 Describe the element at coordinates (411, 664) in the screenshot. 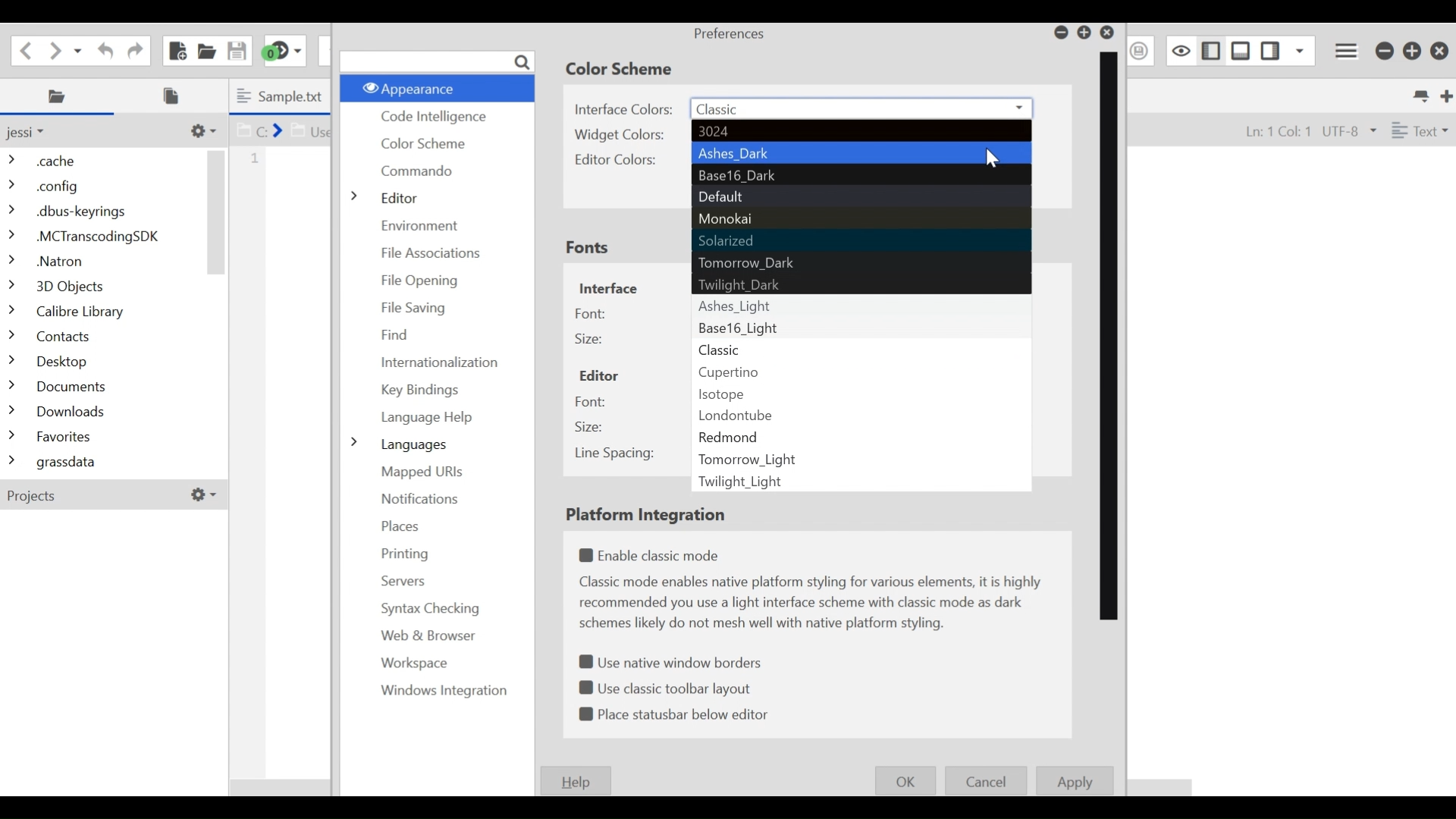

I see `Workplace` at that location.